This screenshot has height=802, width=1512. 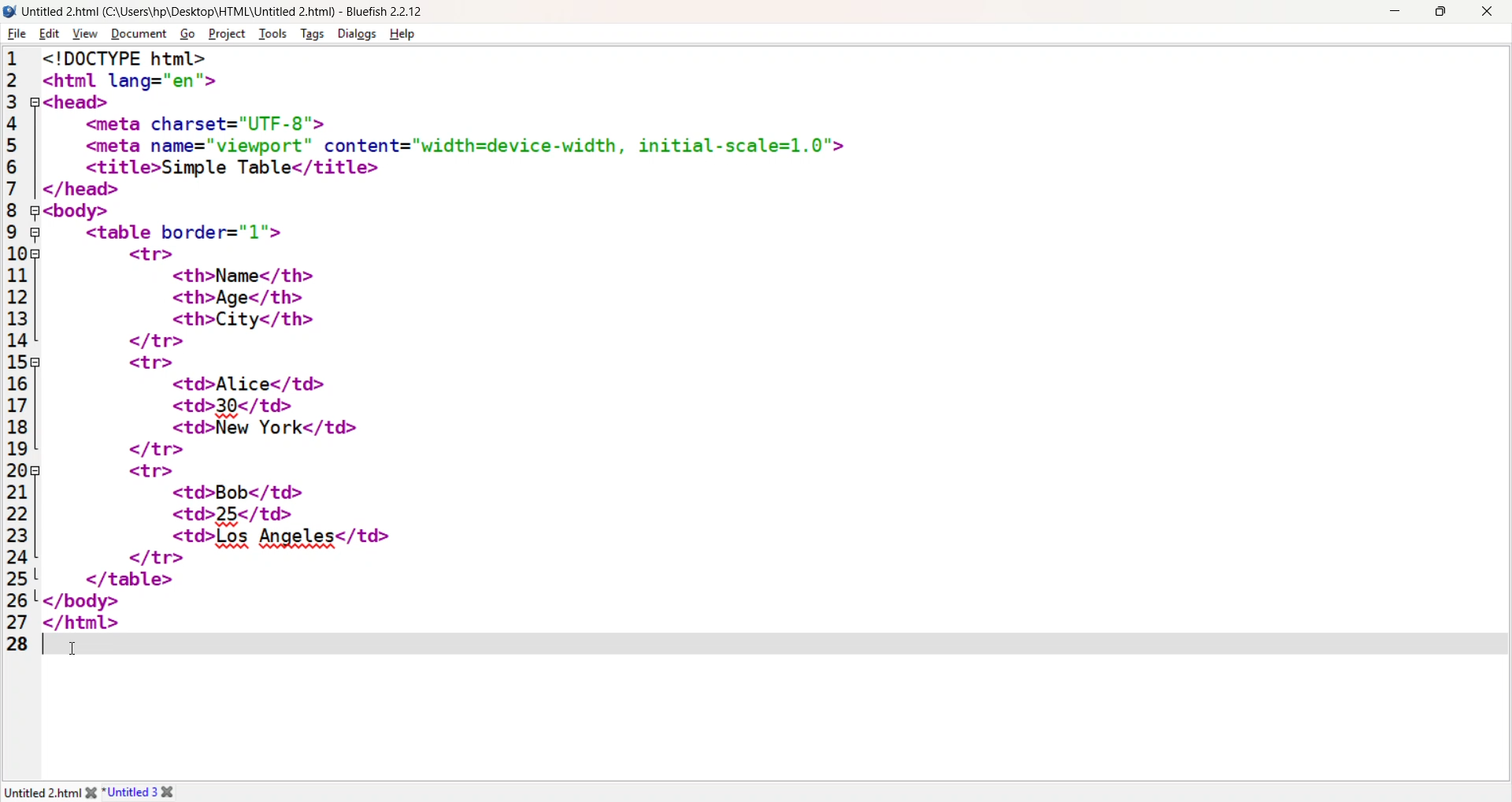 I want to click on cursor, so click(x=76, y=650).